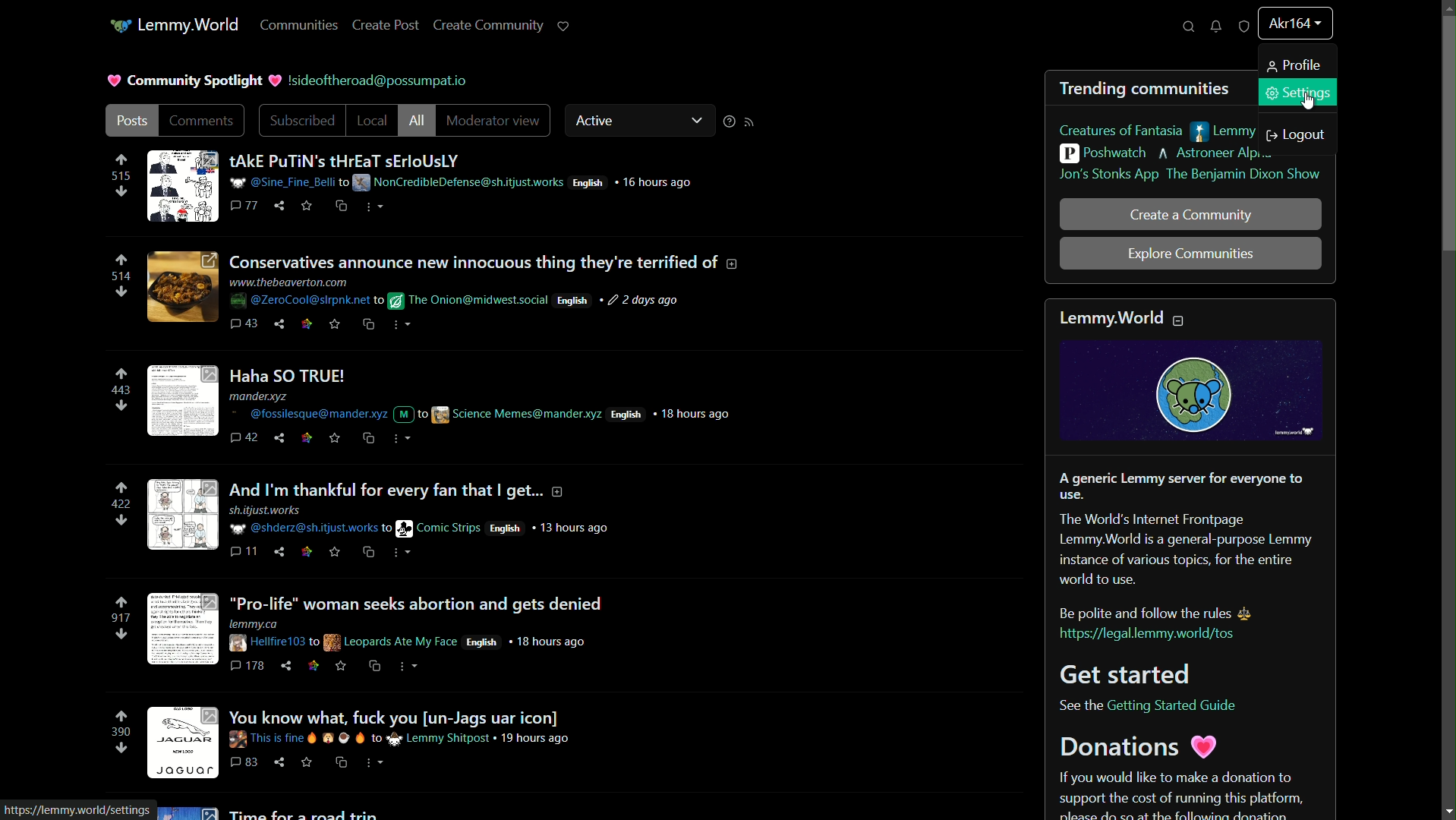  Describe the element at coordinates (1189, 559) in the screenshot. I see `about lemmy.world` at that location.